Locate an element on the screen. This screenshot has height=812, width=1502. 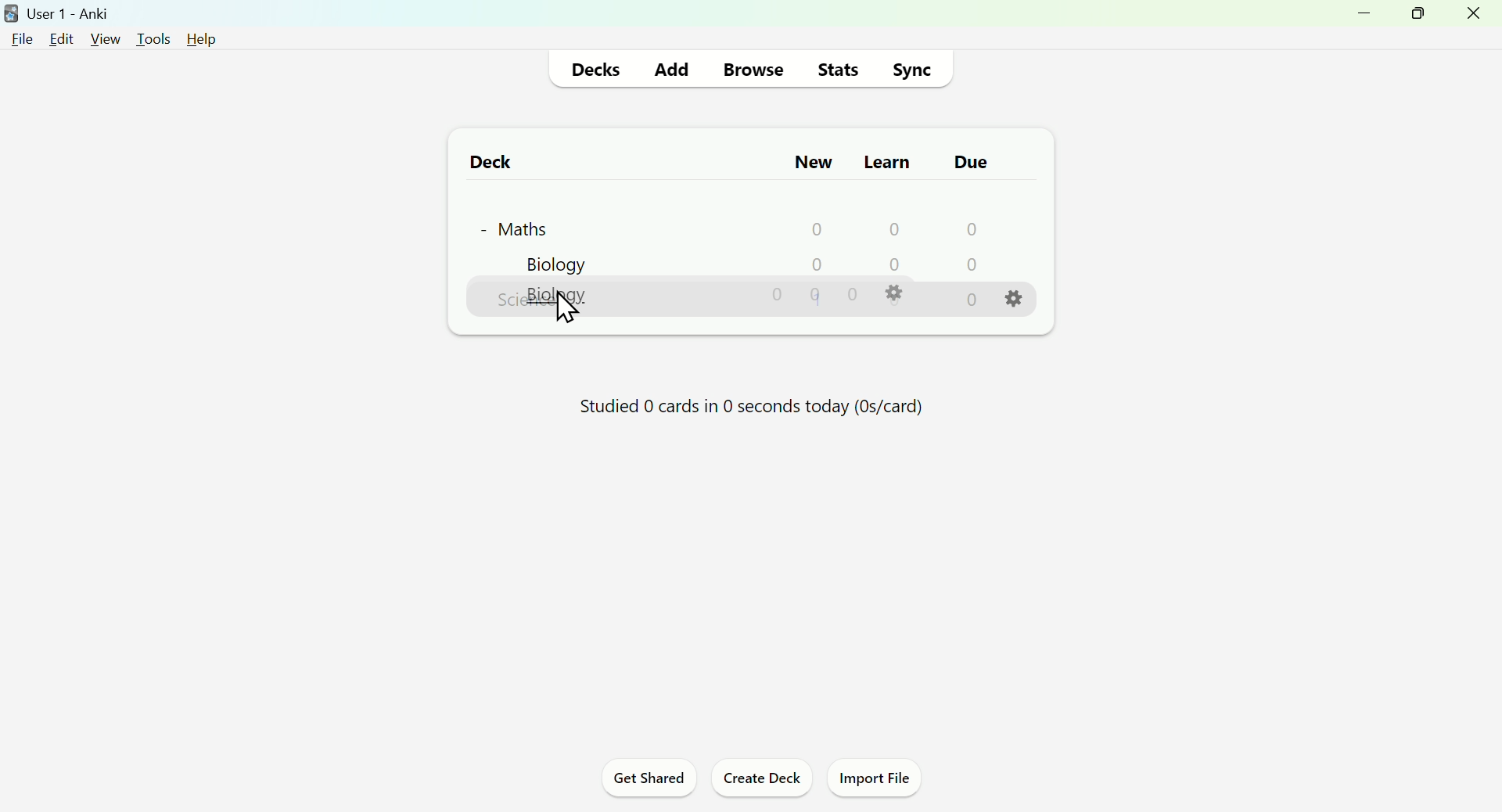
New is located at coordinates (814, 163).